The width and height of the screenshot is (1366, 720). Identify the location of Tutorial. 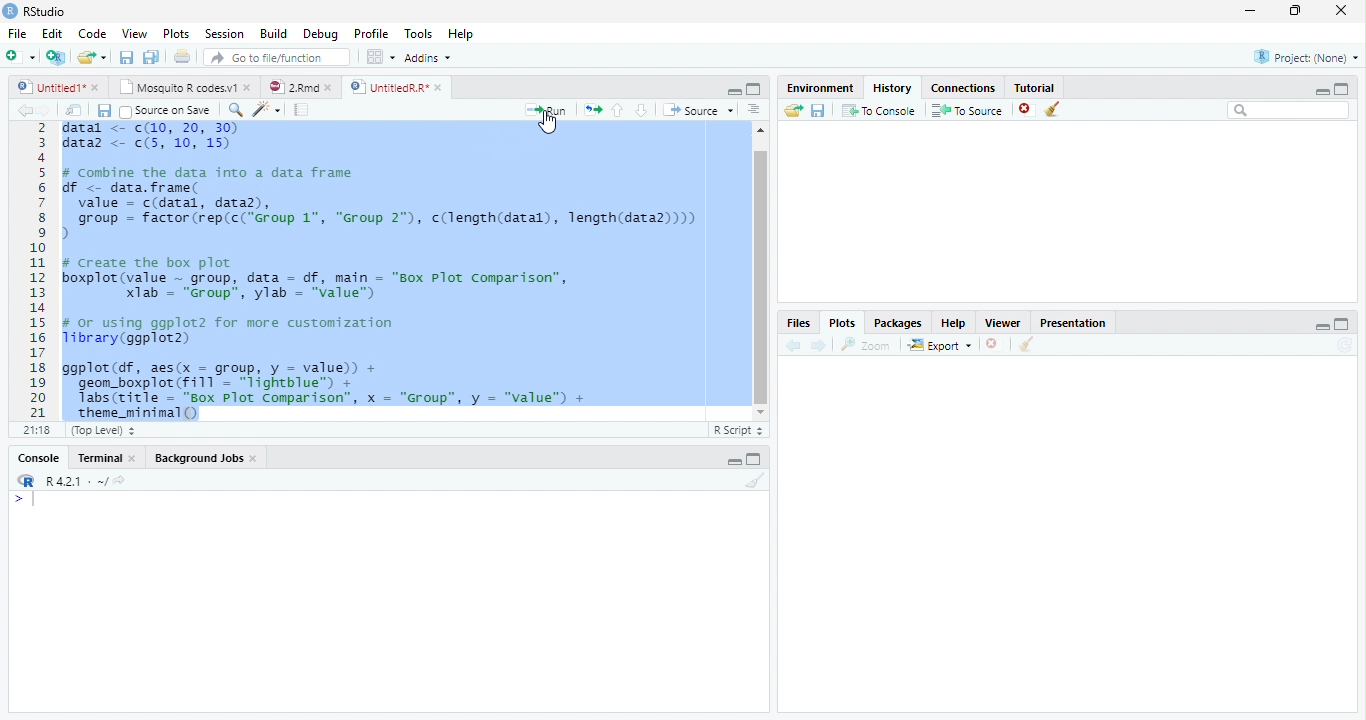
(1035, 88).